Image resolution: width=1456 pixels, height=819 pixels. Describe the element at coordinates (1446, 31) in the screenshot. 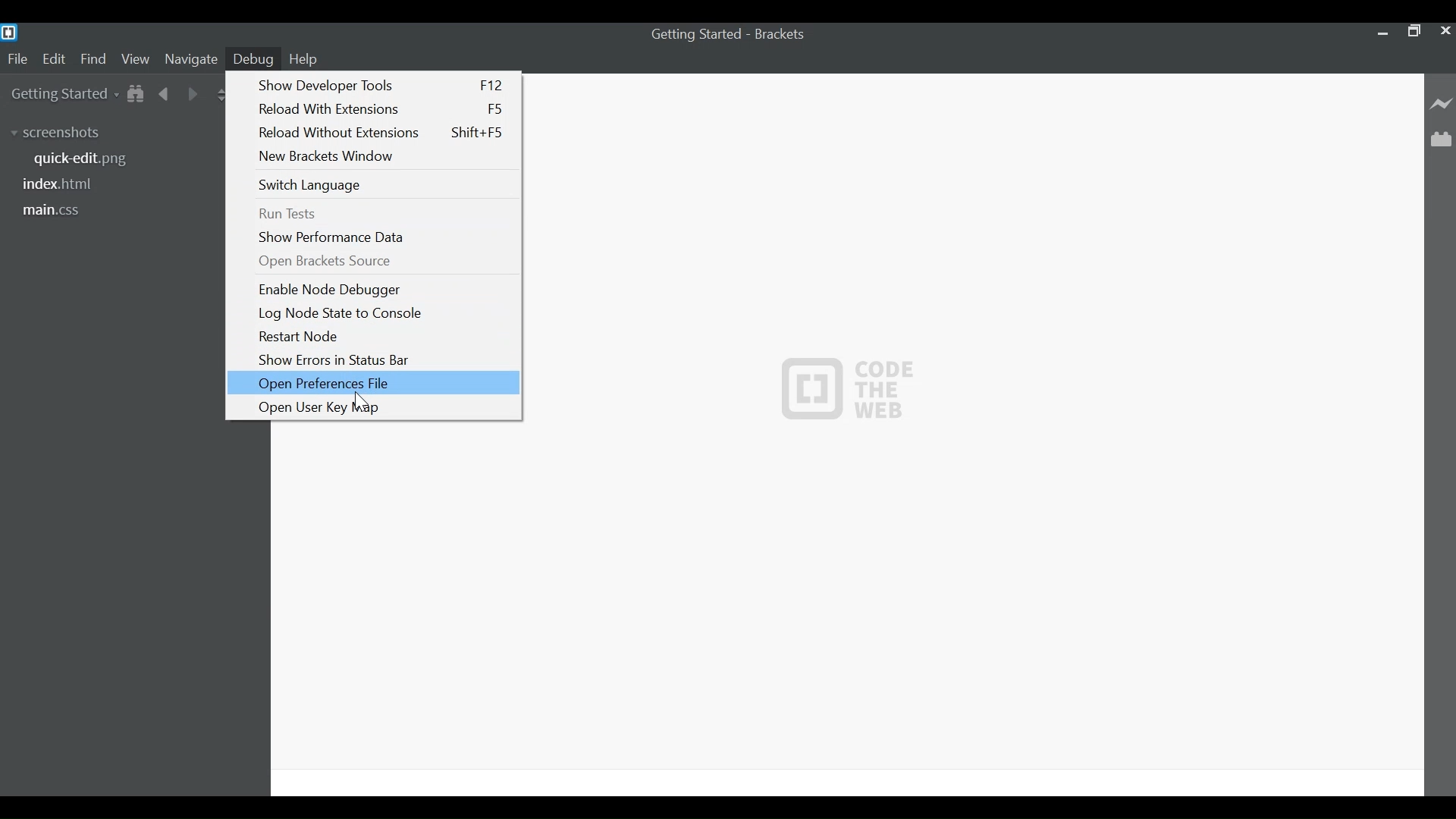

I see `Close` at that location.